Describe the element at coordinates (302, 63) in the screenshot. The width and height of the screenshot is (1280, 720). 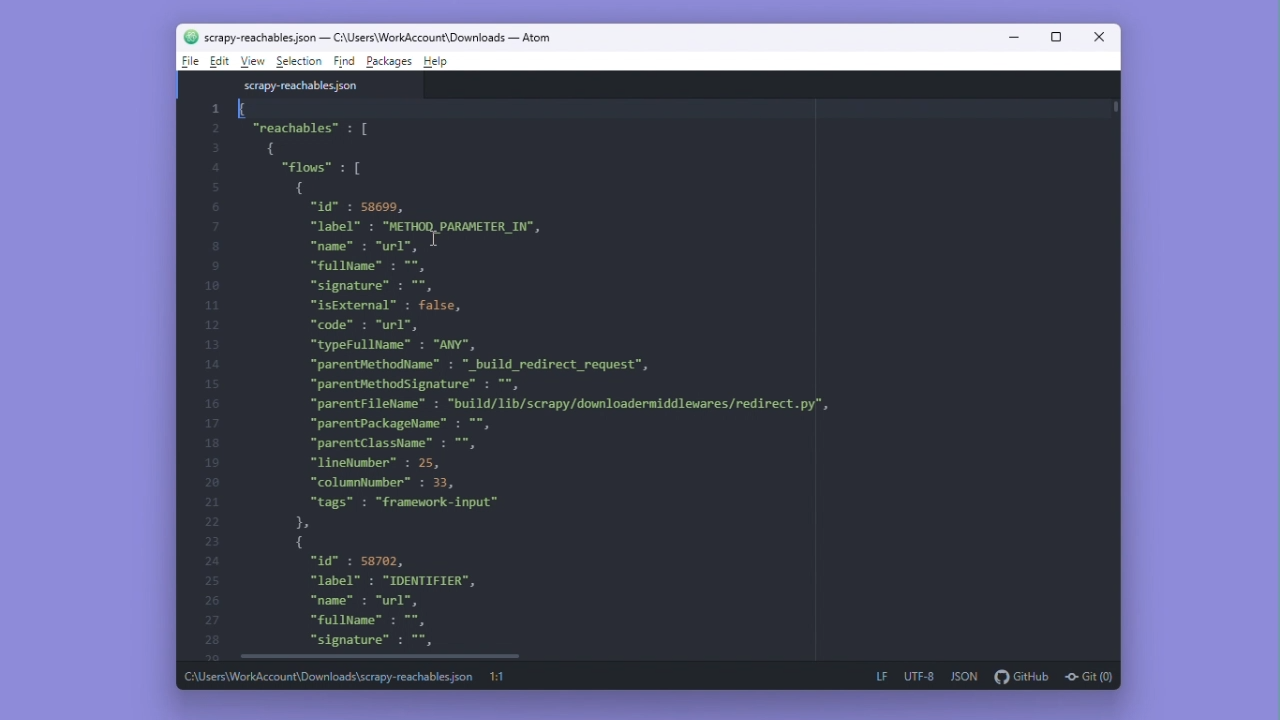
I see `Selection` at that location.